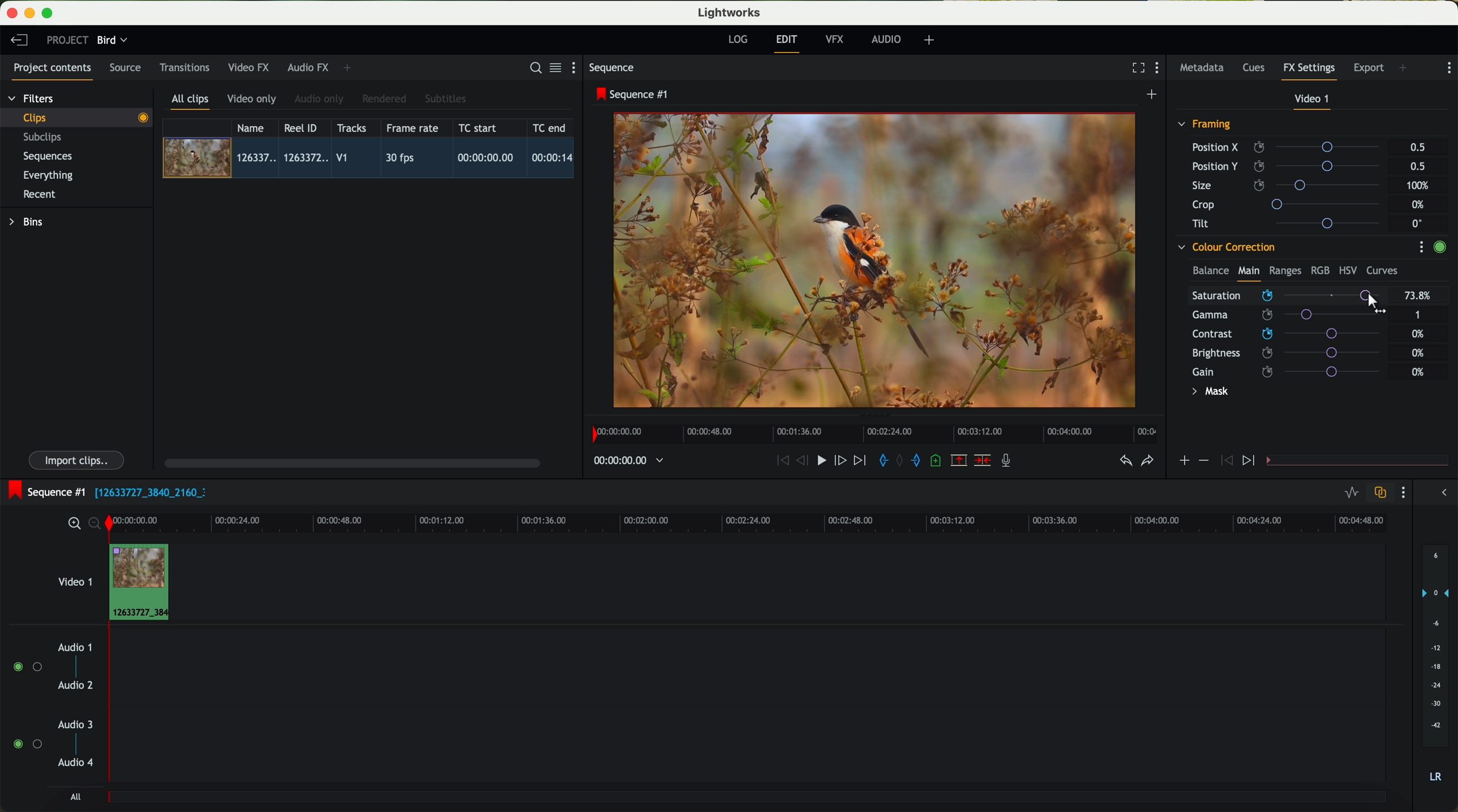 The image size is (1458, 812). What do you see at coordinates (1418, 372) in the screenshot?
I see `0%` at bounding box center [1418, 372].